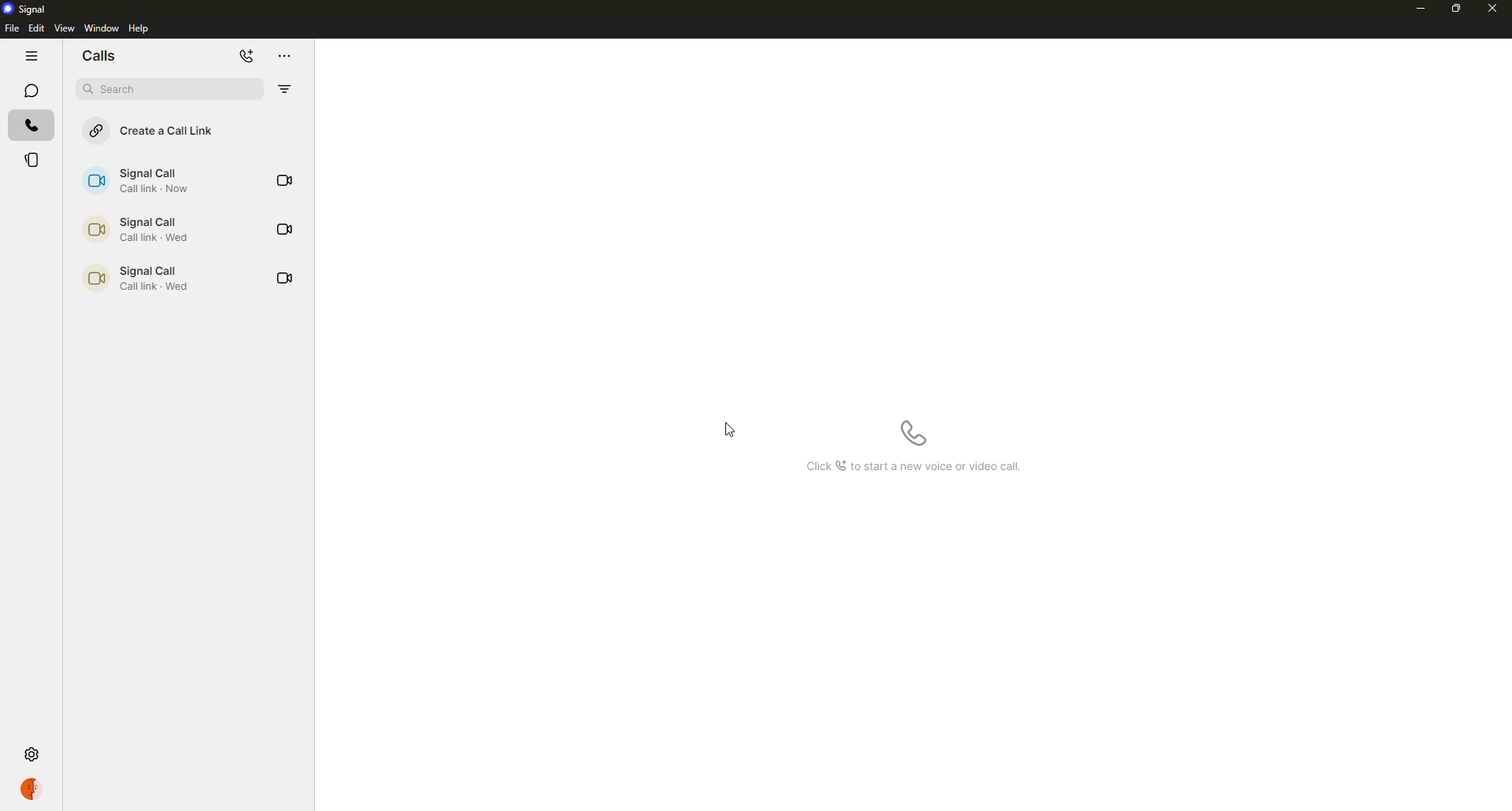 The height and width of the screenshot is (811, 1512). Describe the element at coordinates (65, 28) in the screenshot. I see `view` at that location.